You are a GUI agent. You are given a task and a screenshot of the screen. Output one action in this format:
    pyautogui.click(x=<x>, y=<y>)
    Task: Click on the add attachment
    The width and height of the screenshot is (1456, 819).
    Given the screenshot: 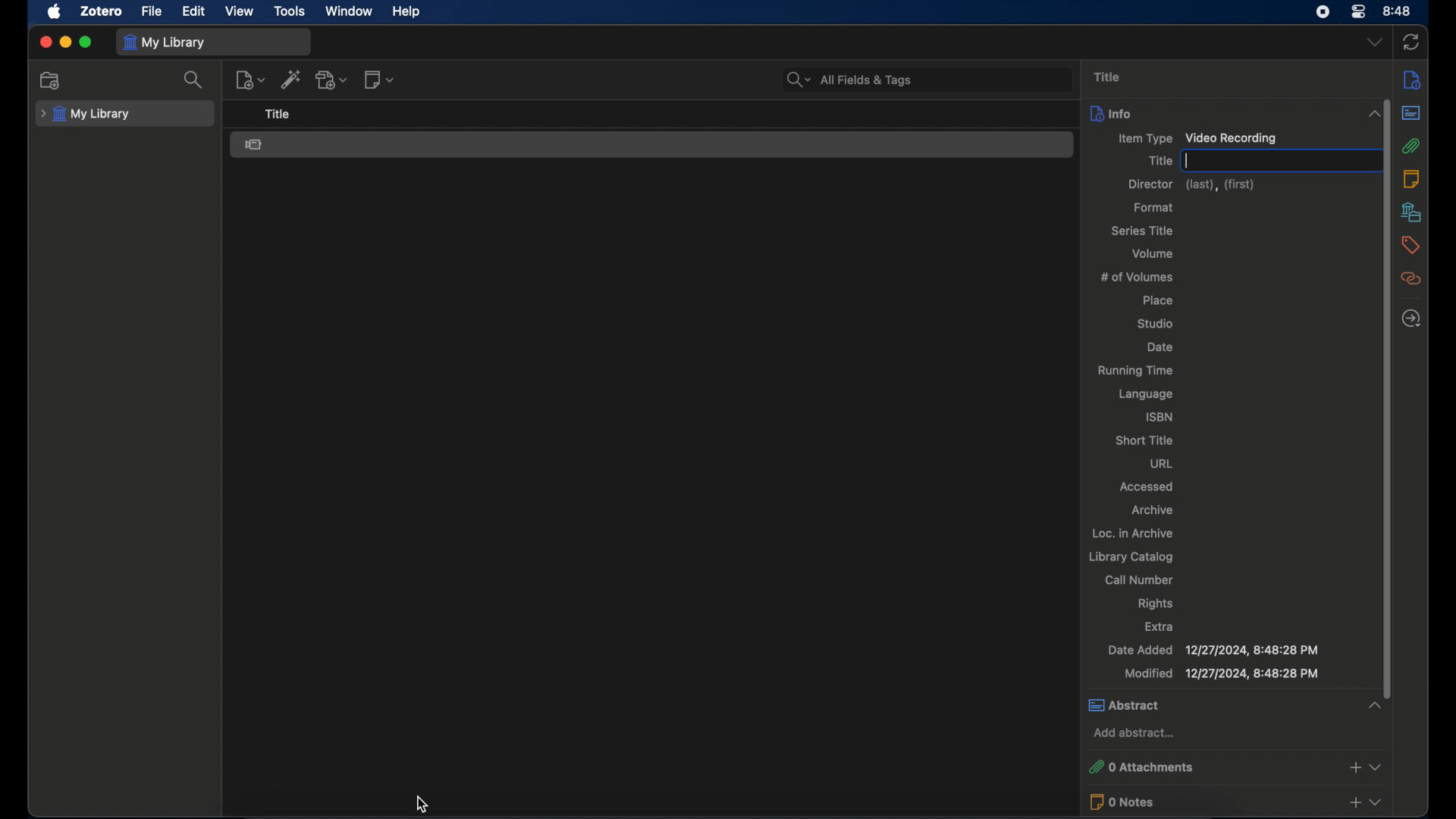 What is the action you would take?
    pyautogui.click(x=332, y=79)
    